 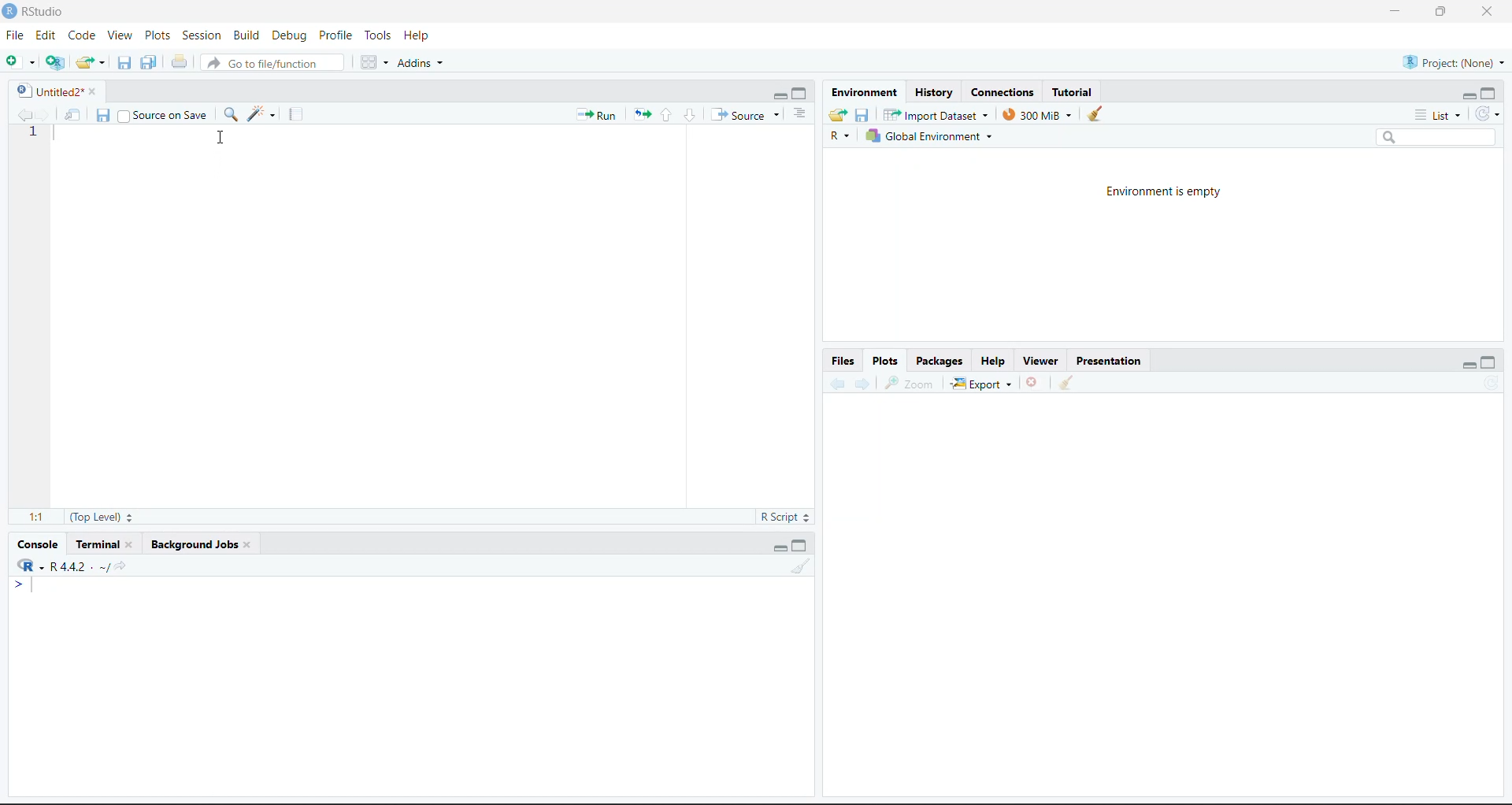 I want to click on show document outline, so click(x=802, y=114).